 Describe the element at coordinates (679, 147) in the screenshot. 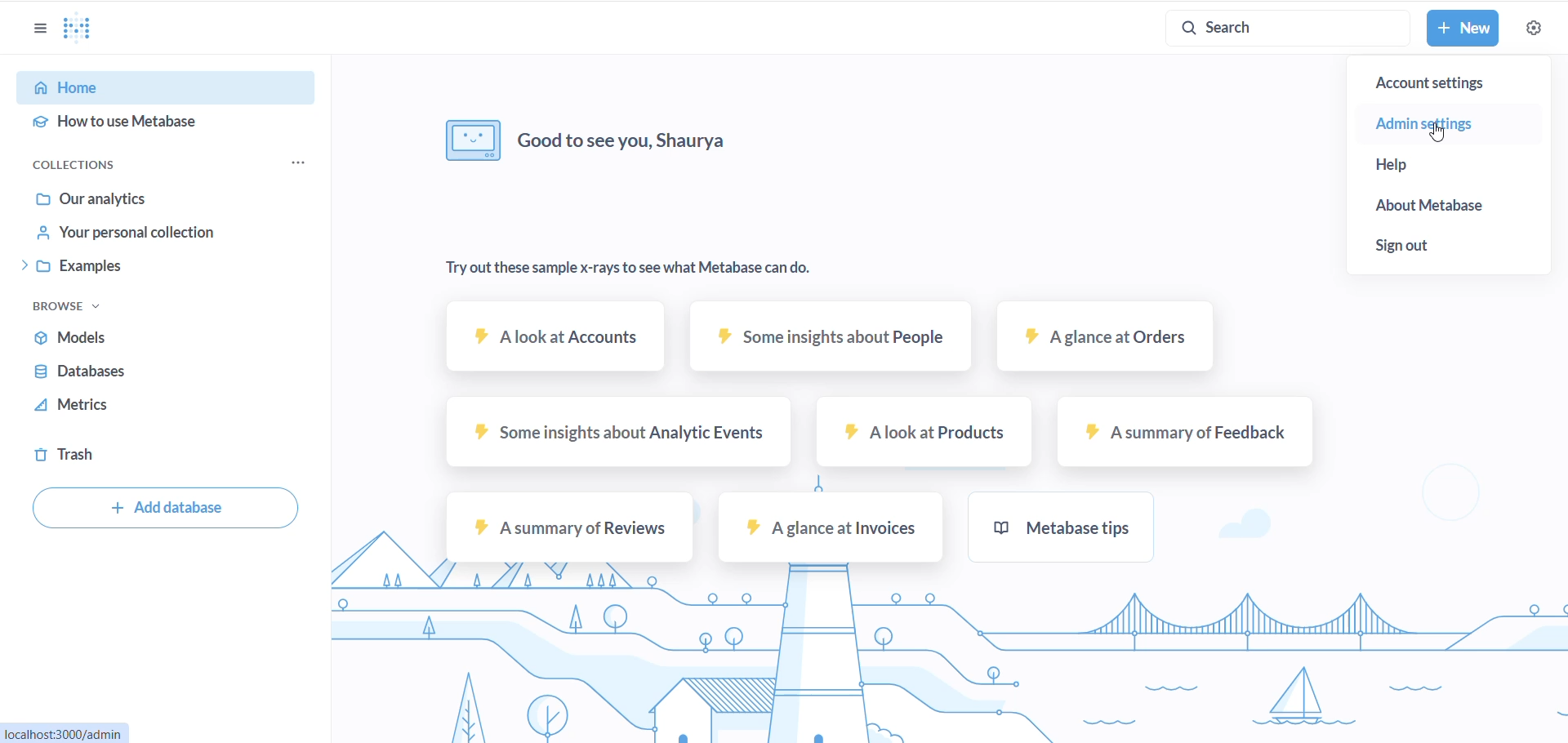

I see `TEXT` at that location.